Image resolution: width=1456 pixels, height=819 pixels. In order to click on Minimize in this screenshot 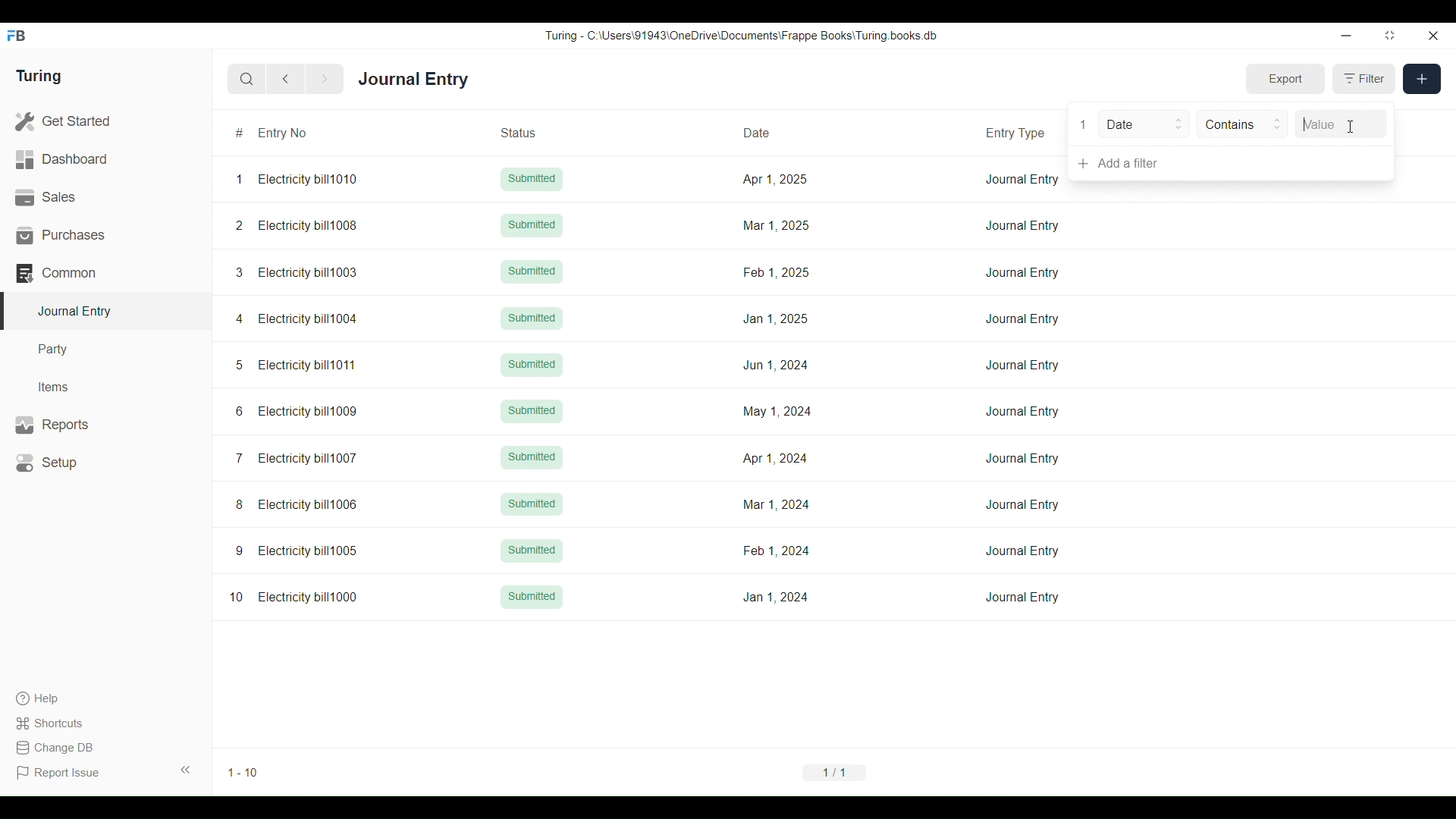, I will do `click(1347, 36)`.